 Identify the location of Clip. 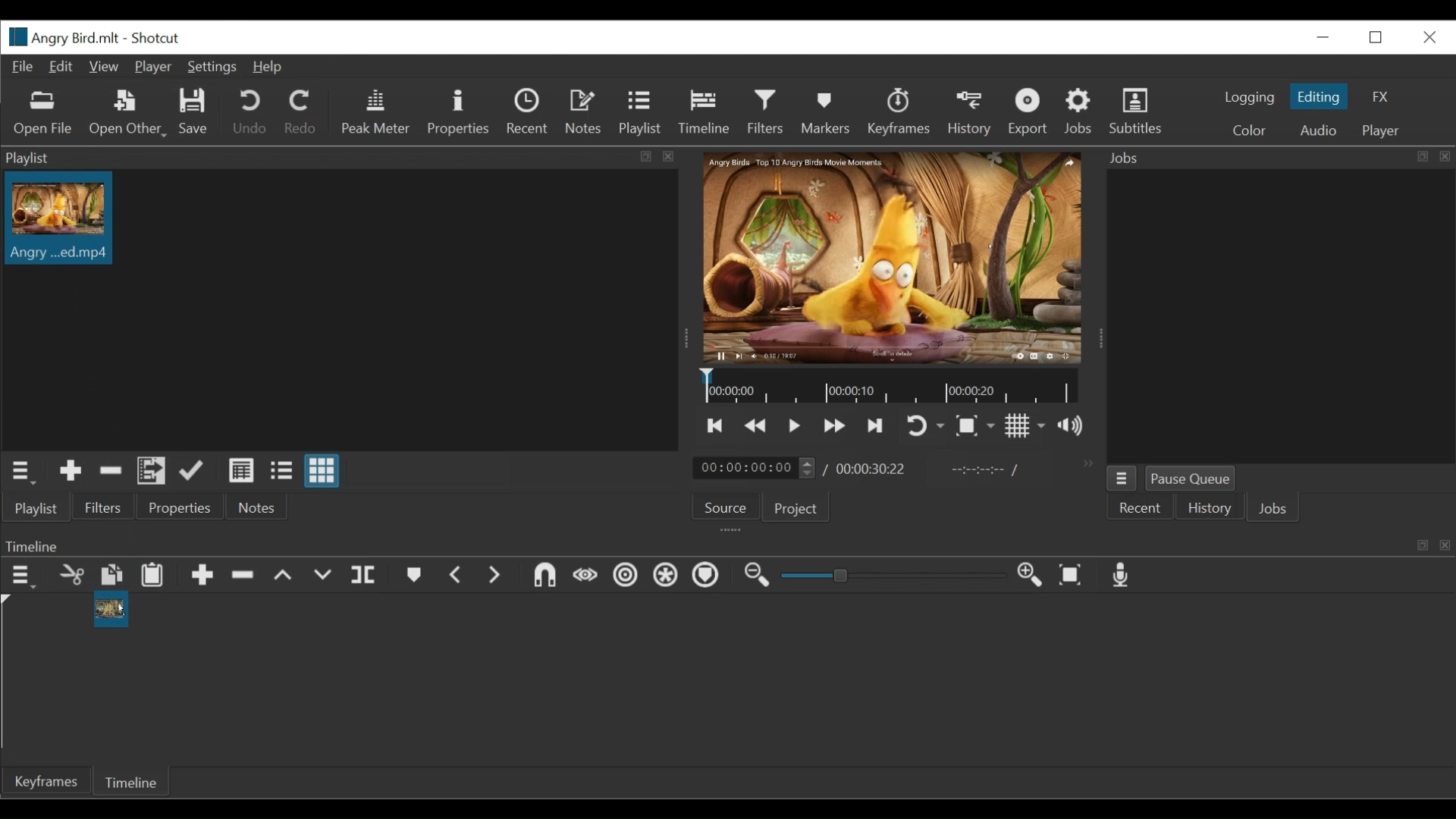
(111, 611).